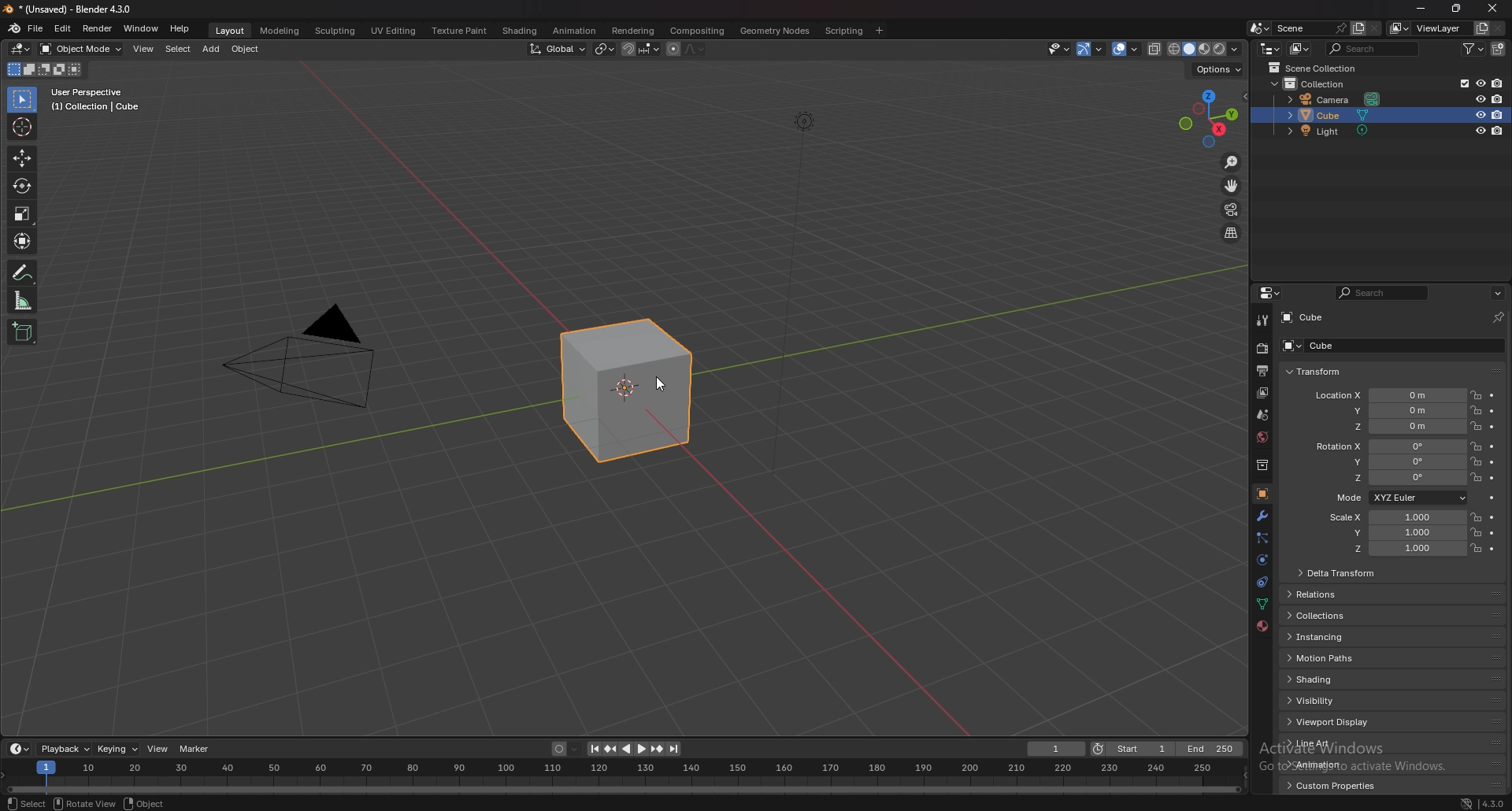  What do you see at coordinates (20, 186) in the screenshot?
I see `rotate` at bounding box center [20, 186].